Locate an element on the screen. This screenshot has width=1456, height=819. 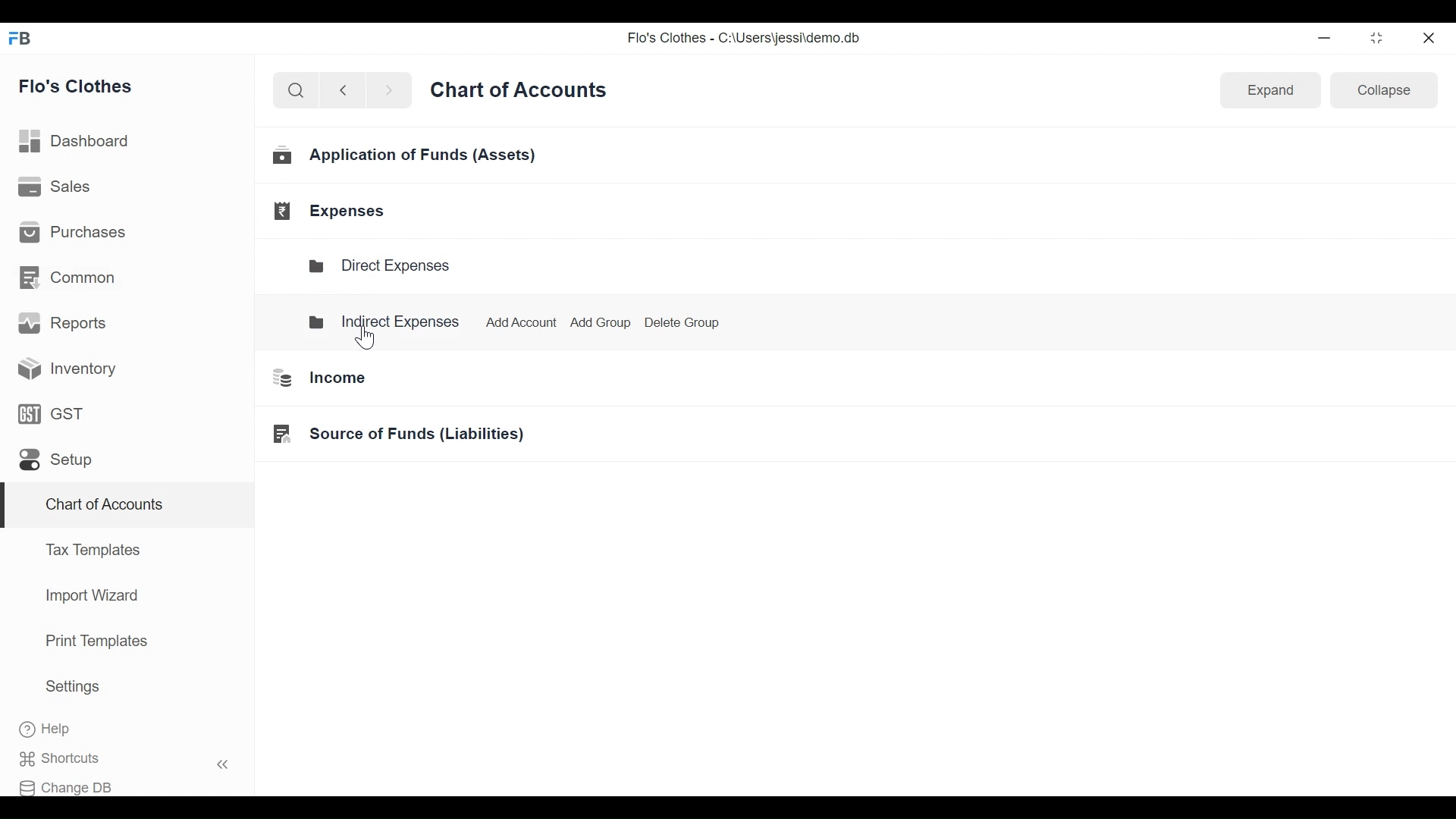
Chart of Accounts is located at coordinates (101, 507).